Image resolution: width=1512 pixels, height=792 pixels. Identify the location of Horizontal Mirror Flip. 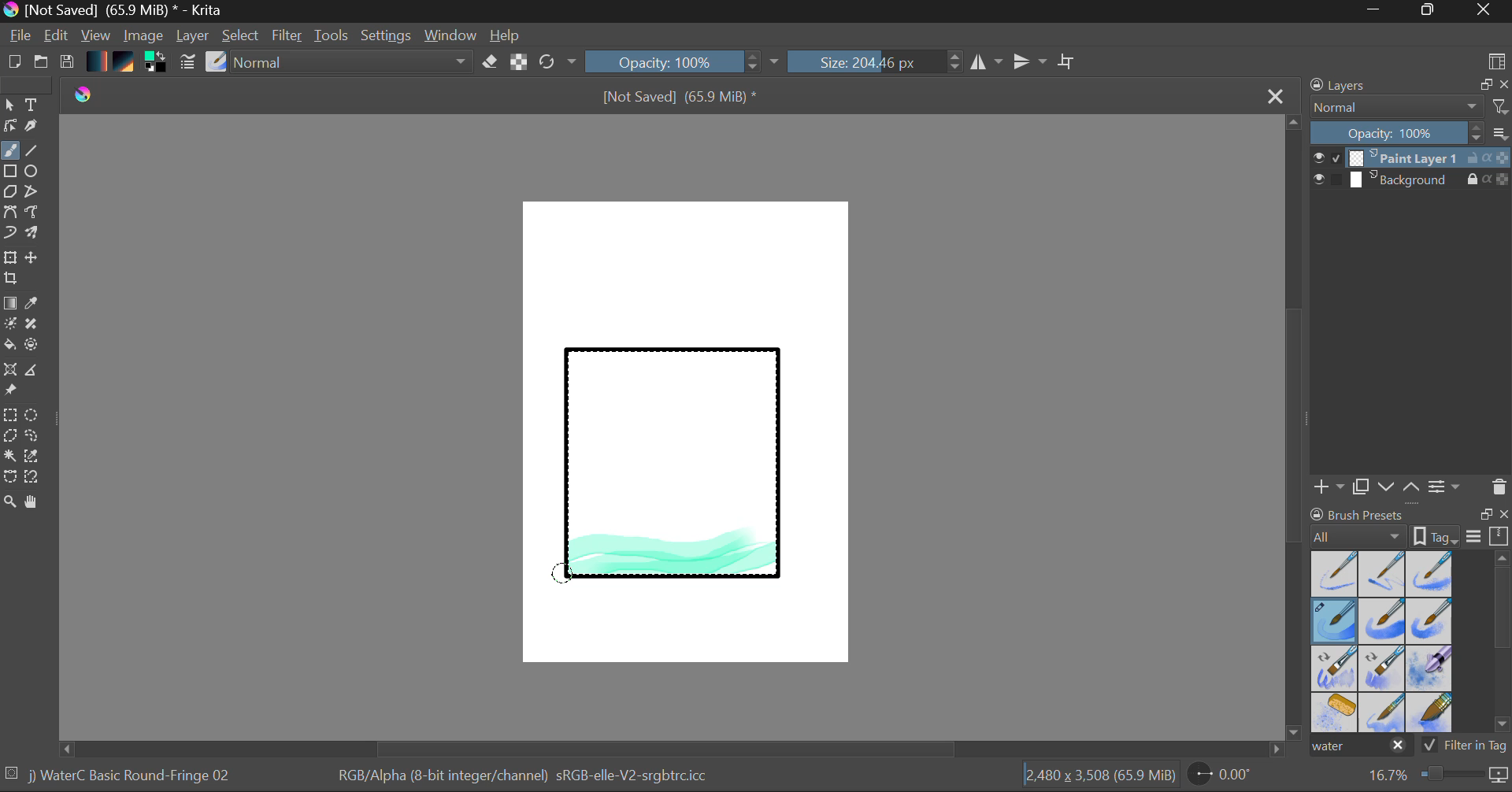
(1033, 63).